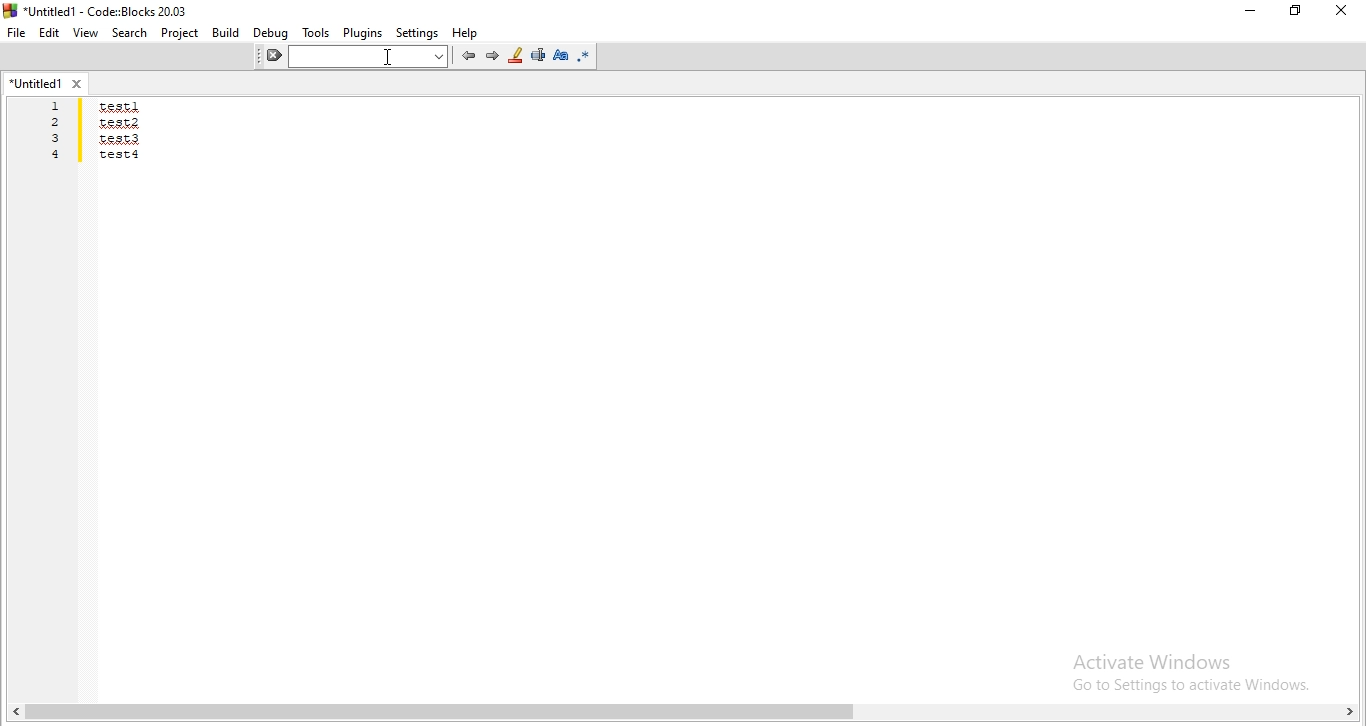  Describe the element at coordinates (466, 56) in the screenshot. I see `previous` at that location.